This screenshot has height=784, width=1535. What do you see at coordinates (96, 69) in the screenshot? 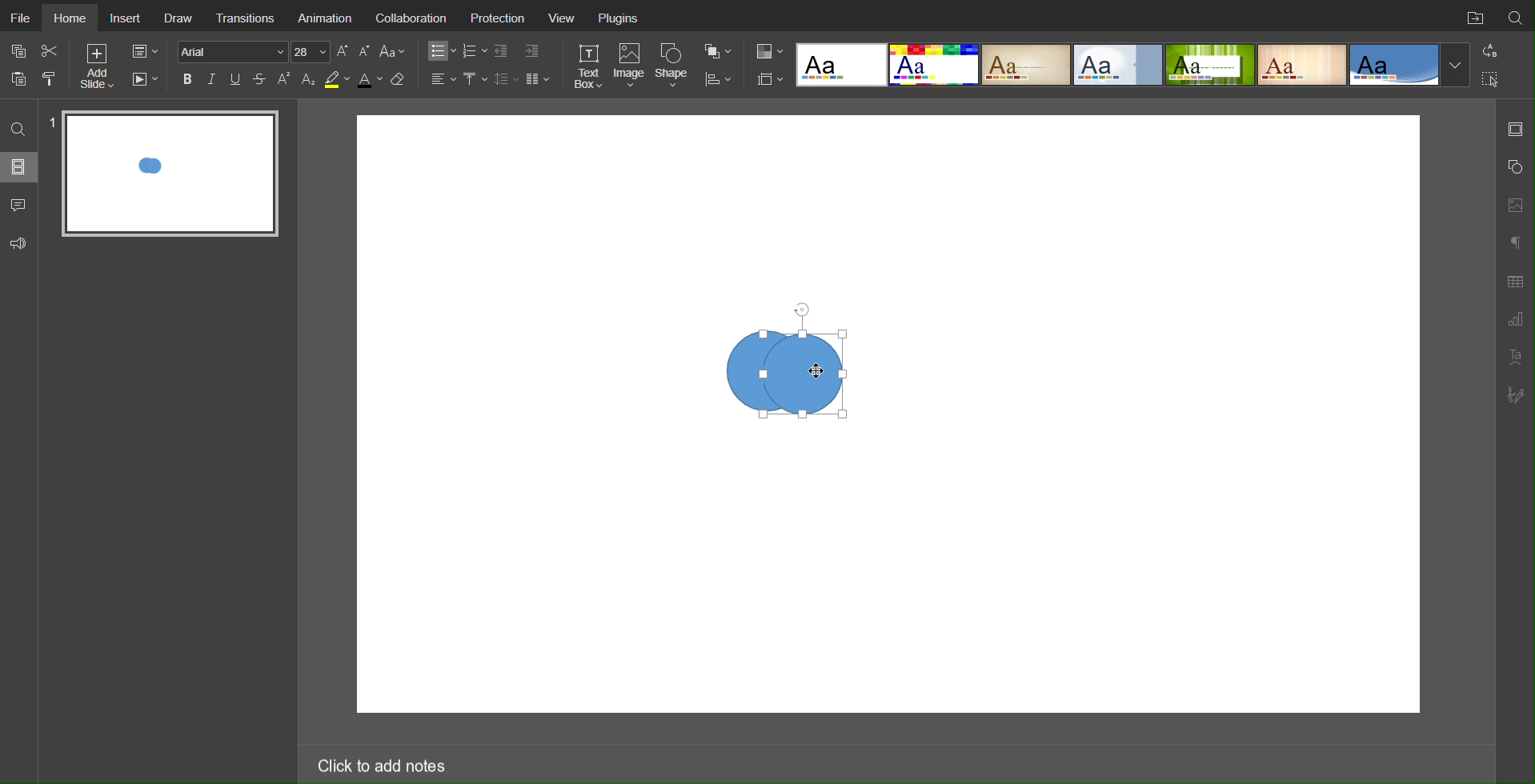
I see `Add Slide` at bounding box center [96, 69].